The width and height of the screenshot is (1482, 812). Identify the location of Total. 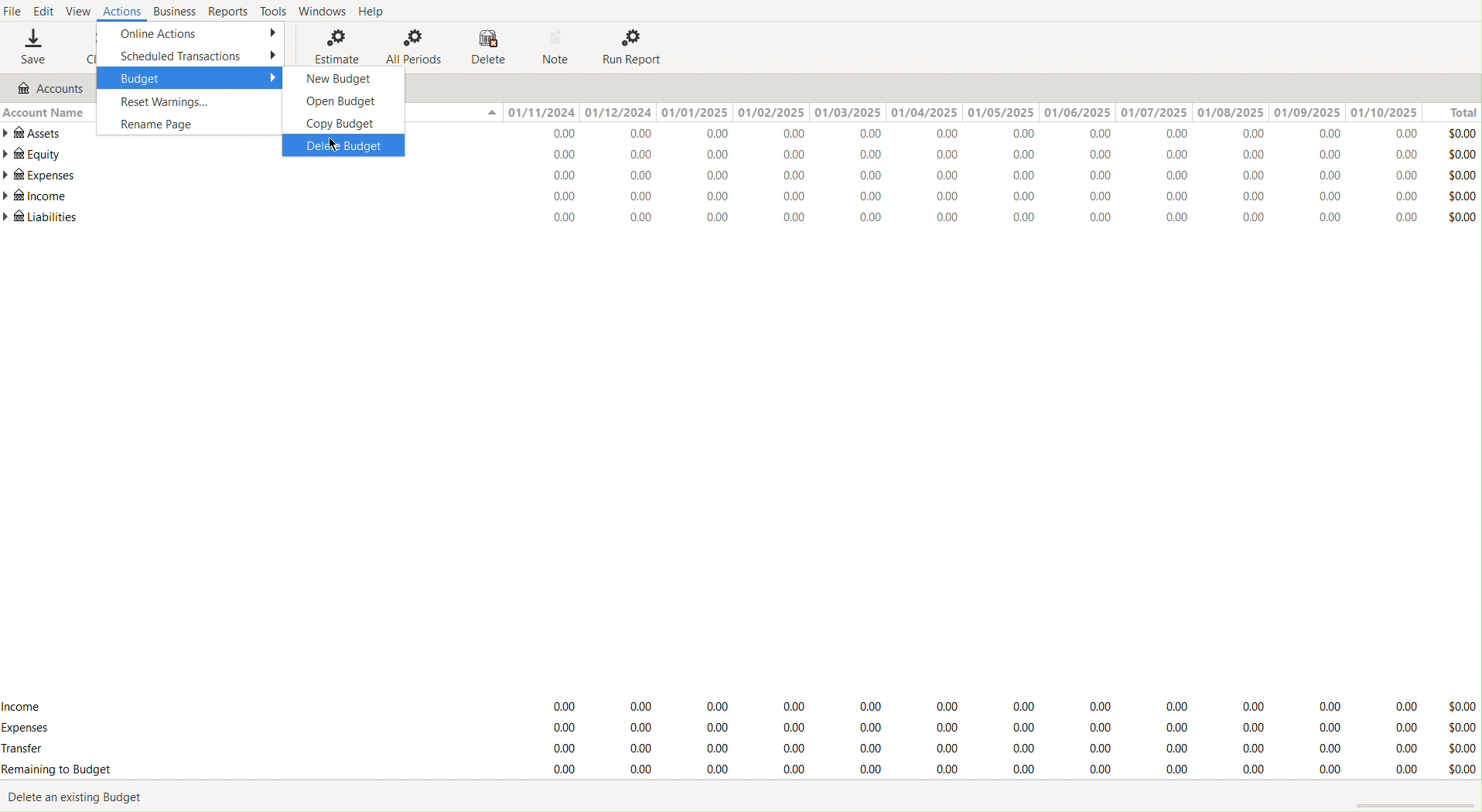
(1455, 111).